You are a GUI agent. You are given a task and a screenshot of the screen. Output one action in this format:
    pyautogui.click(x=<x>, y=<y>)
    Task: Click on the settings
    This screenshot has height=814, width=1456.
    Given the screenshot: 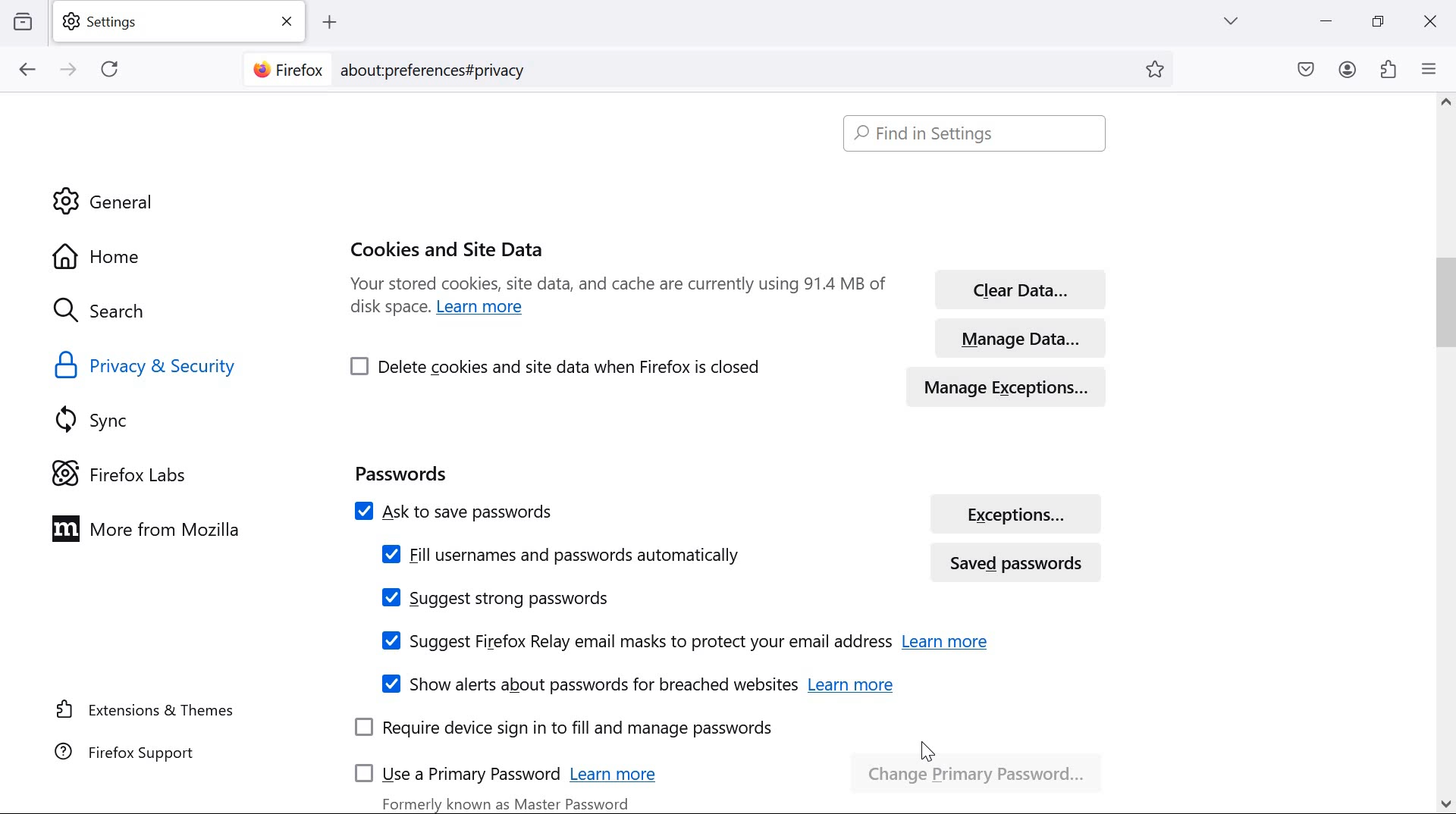 What is the action you would take?
    pyautogui.click(x=183, y=22)
    